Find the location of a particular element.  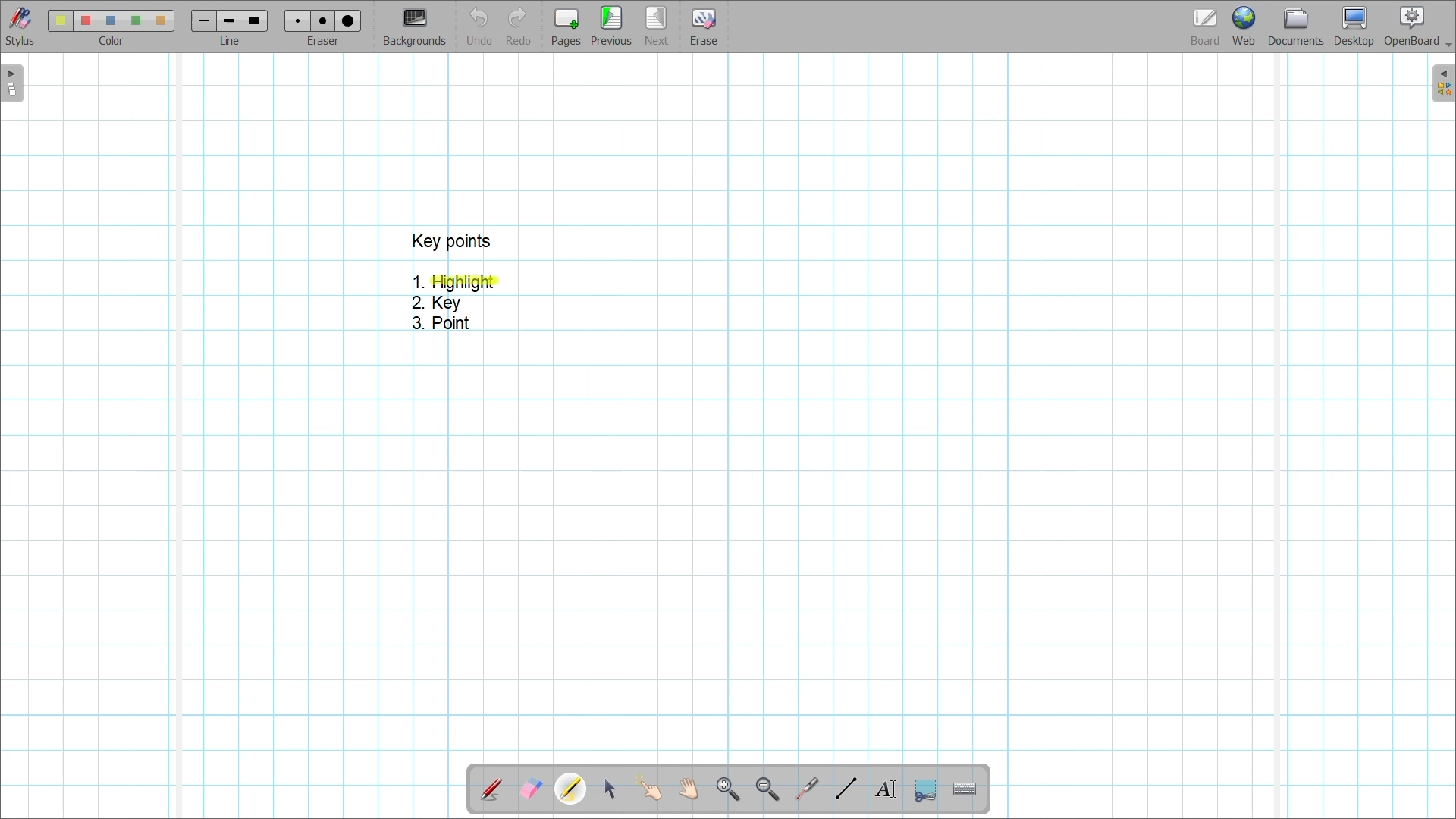

Go to next page is located at coordinates (656, 26).